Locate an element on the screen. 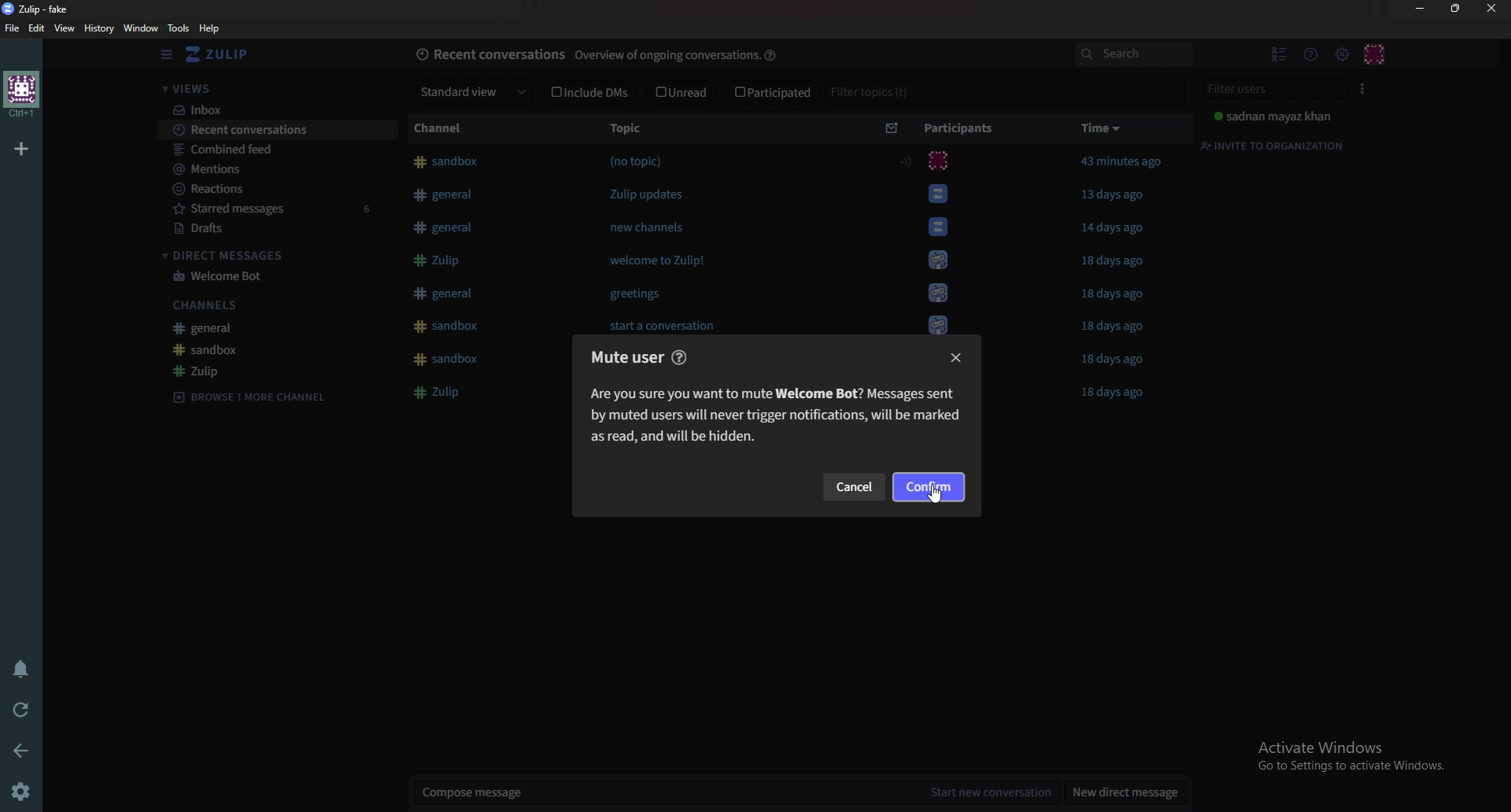  18 days ago is located at coordinates (1113, 260).